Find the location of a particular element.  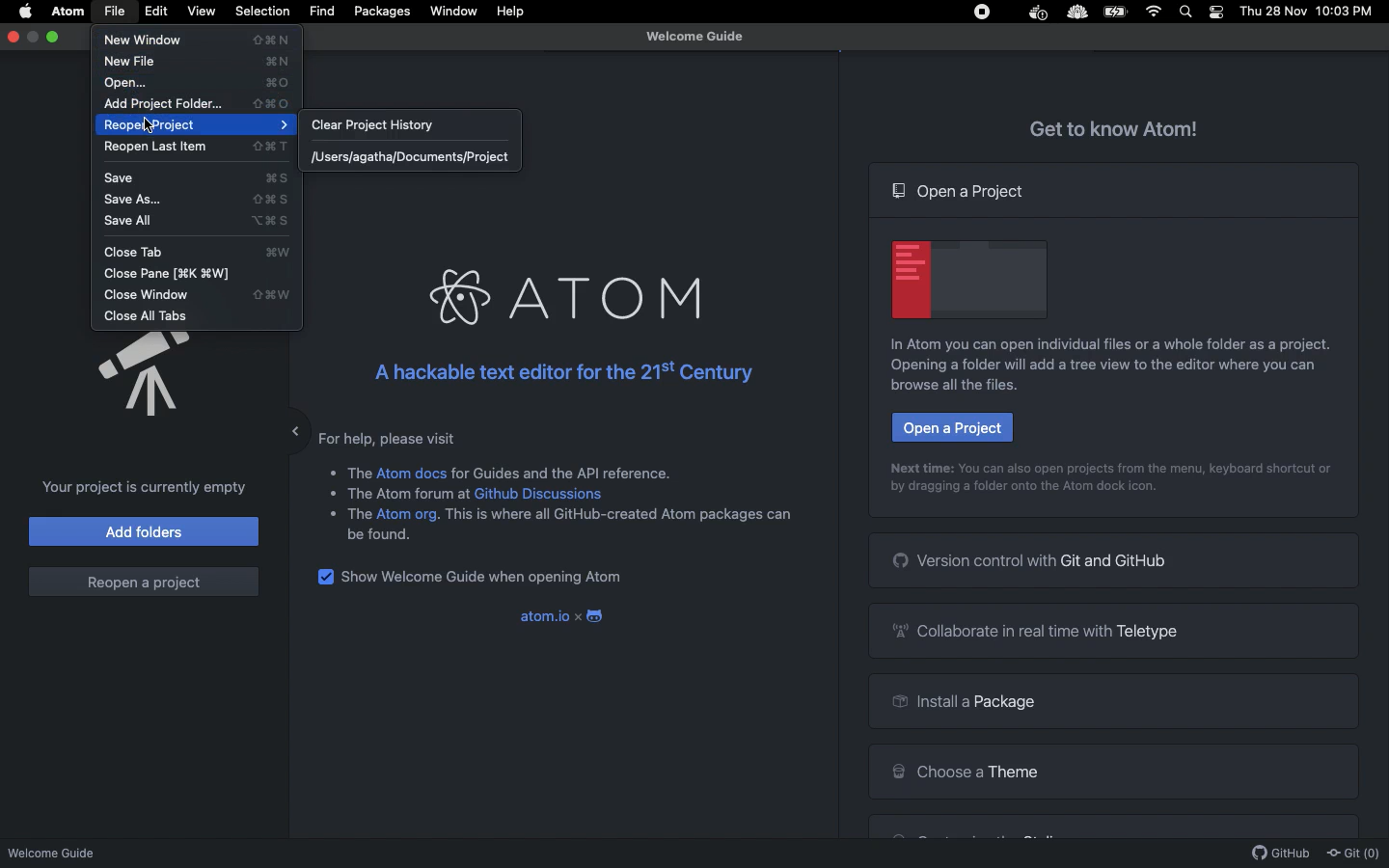

Get to know Atom is located at coordinates (1115, 126).